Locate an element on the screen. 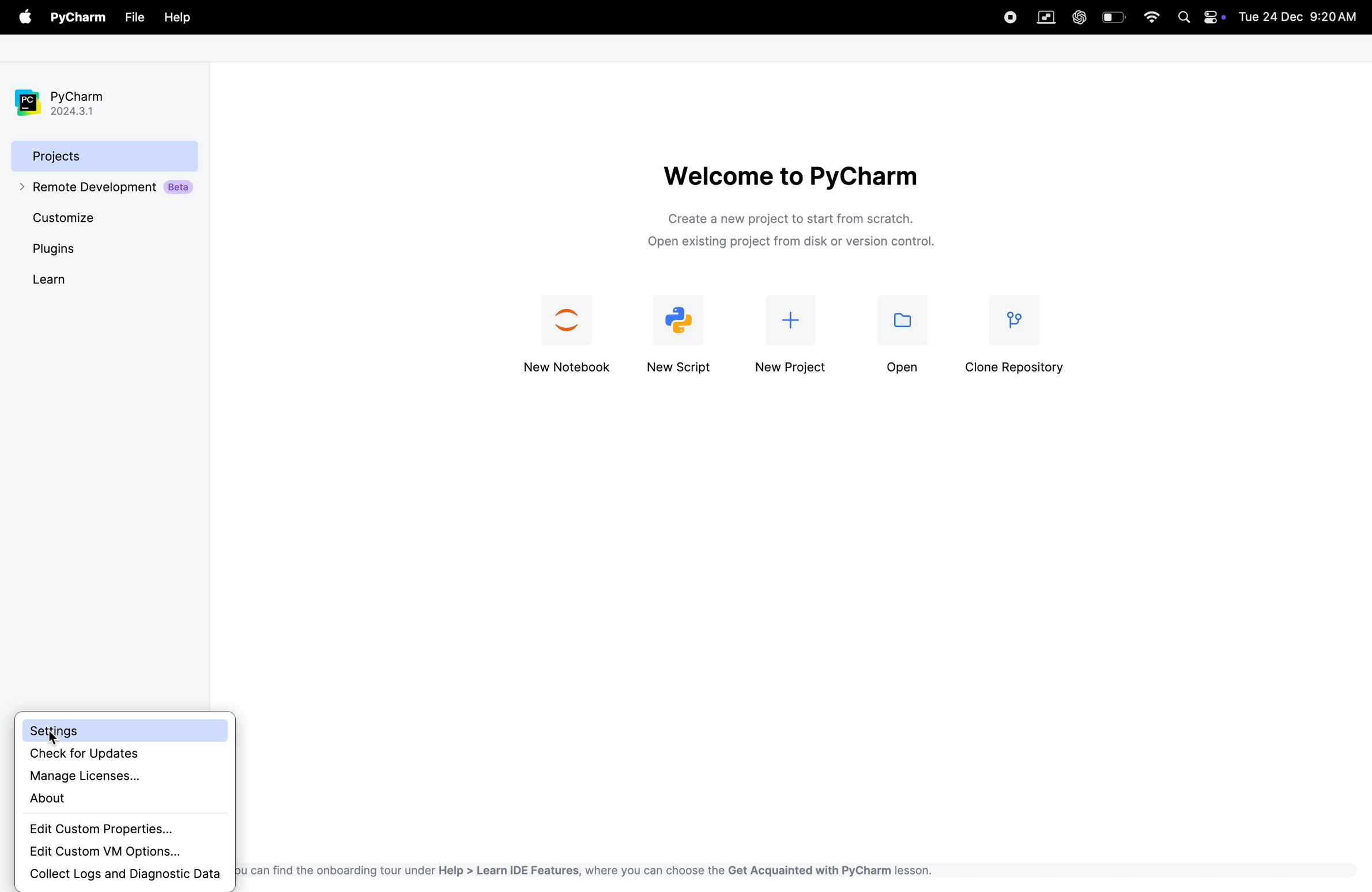 The width and height of the screenshot is (1372, 892). cursor is located at coordinates (52, 738).